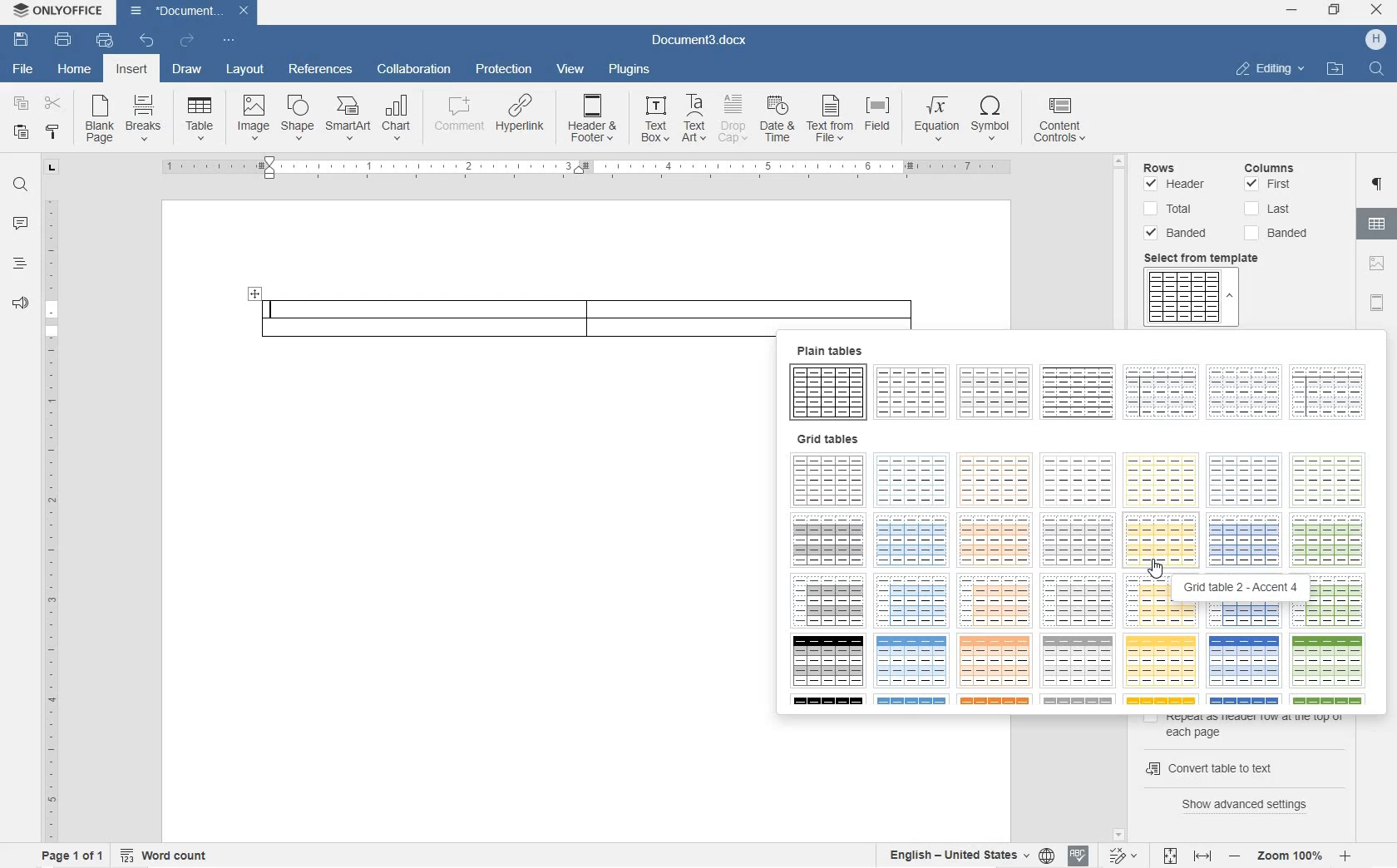 Image resolution: width=1397 pixels, height=868 pixels. What do you see at coordinates (1379, 264) in the screenshot?
I see `IMAGE` at bounding box center [1379, 264].